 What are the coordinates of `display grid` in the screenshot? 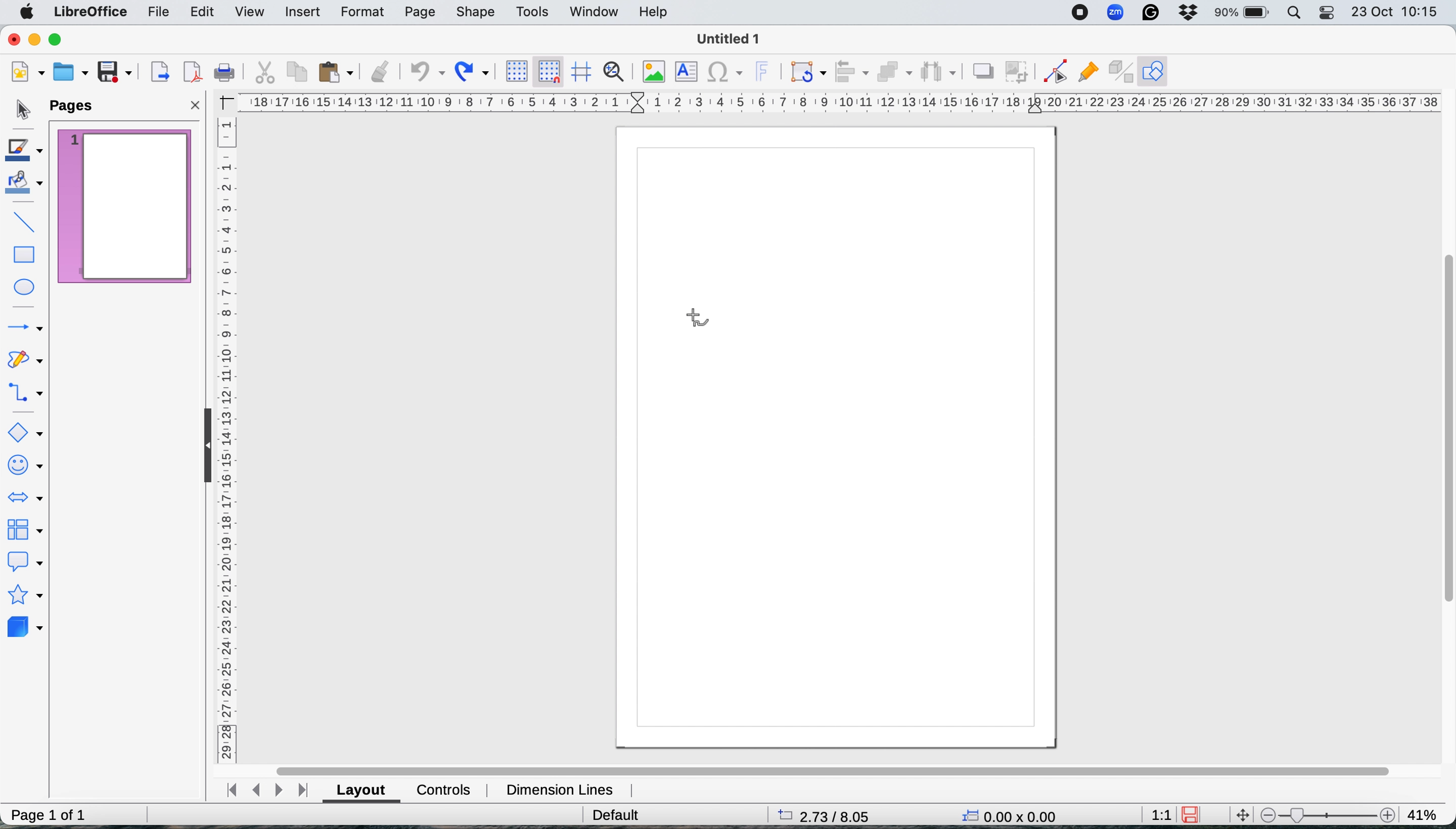 It's located at (520, 71).